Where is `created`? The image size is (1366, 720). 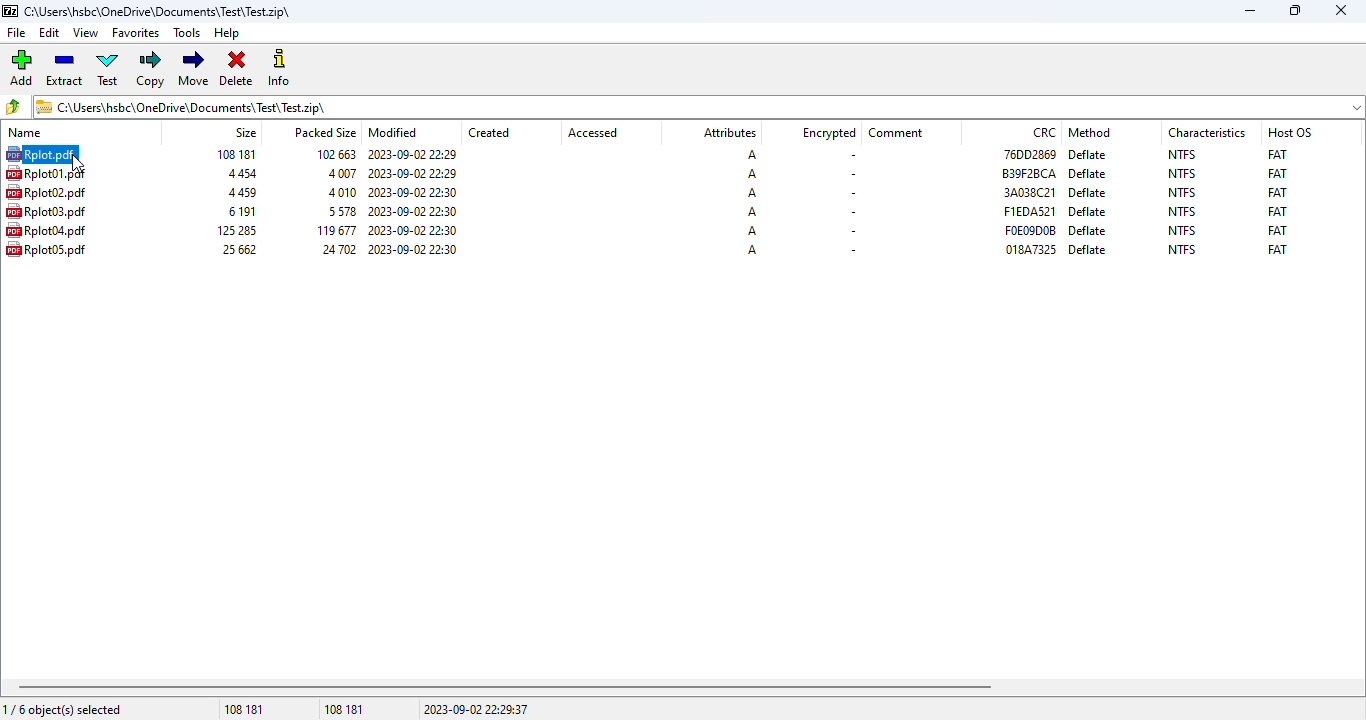 created is located at coordinates (489, 133).